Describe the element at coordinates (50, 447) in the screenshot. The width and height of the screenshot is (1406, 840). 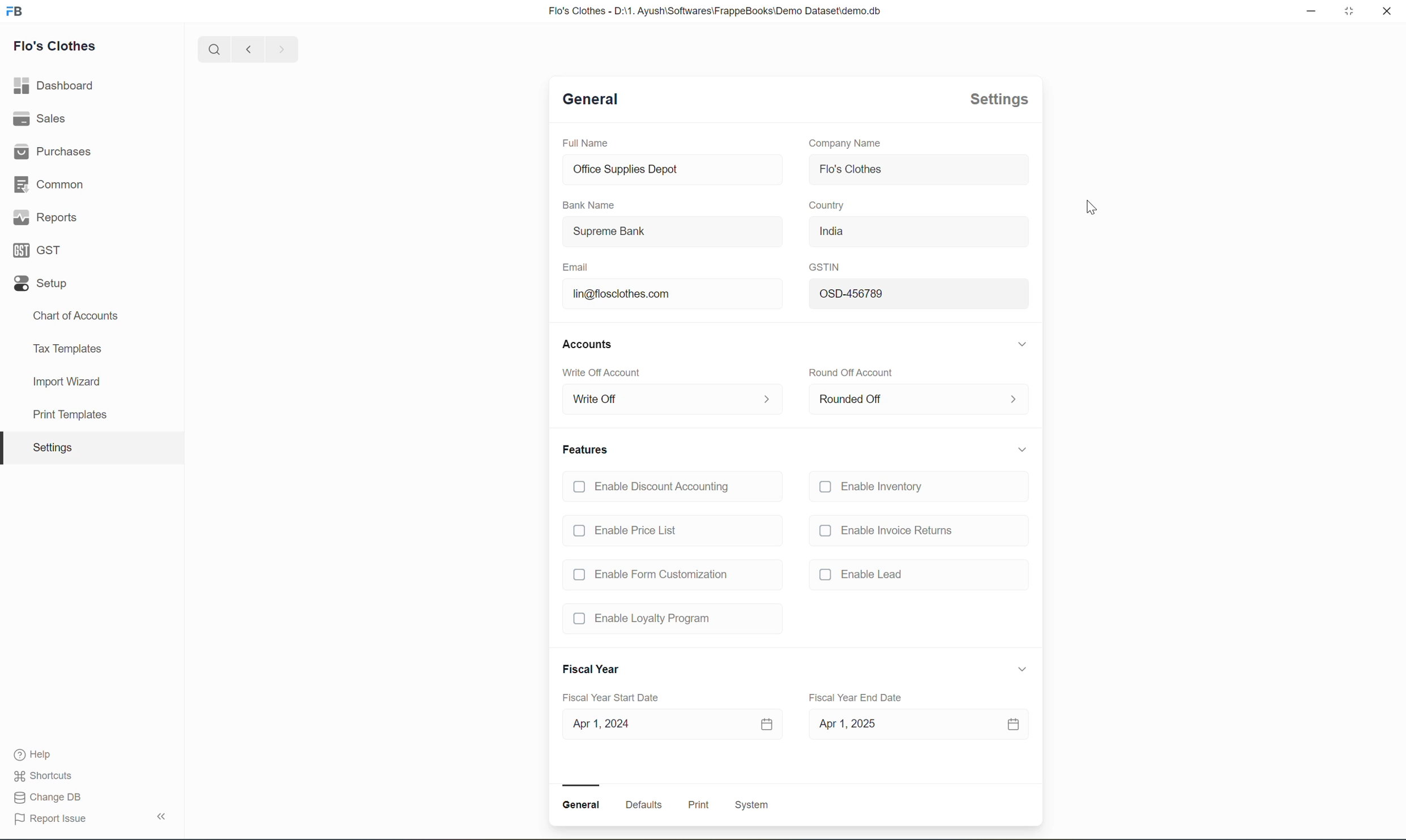
I see `Settings` at that location.